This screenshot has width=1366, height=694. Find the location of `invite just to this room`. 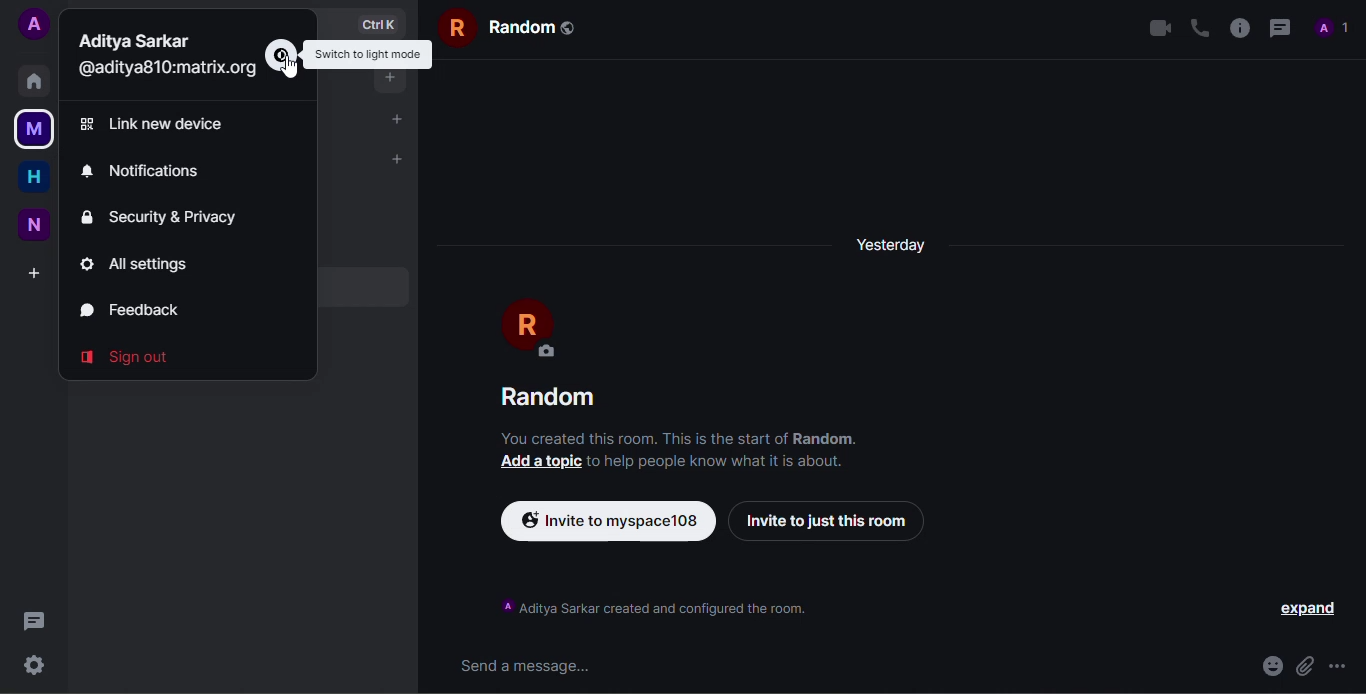

invite just to this room is located at coordinates (829, 520).